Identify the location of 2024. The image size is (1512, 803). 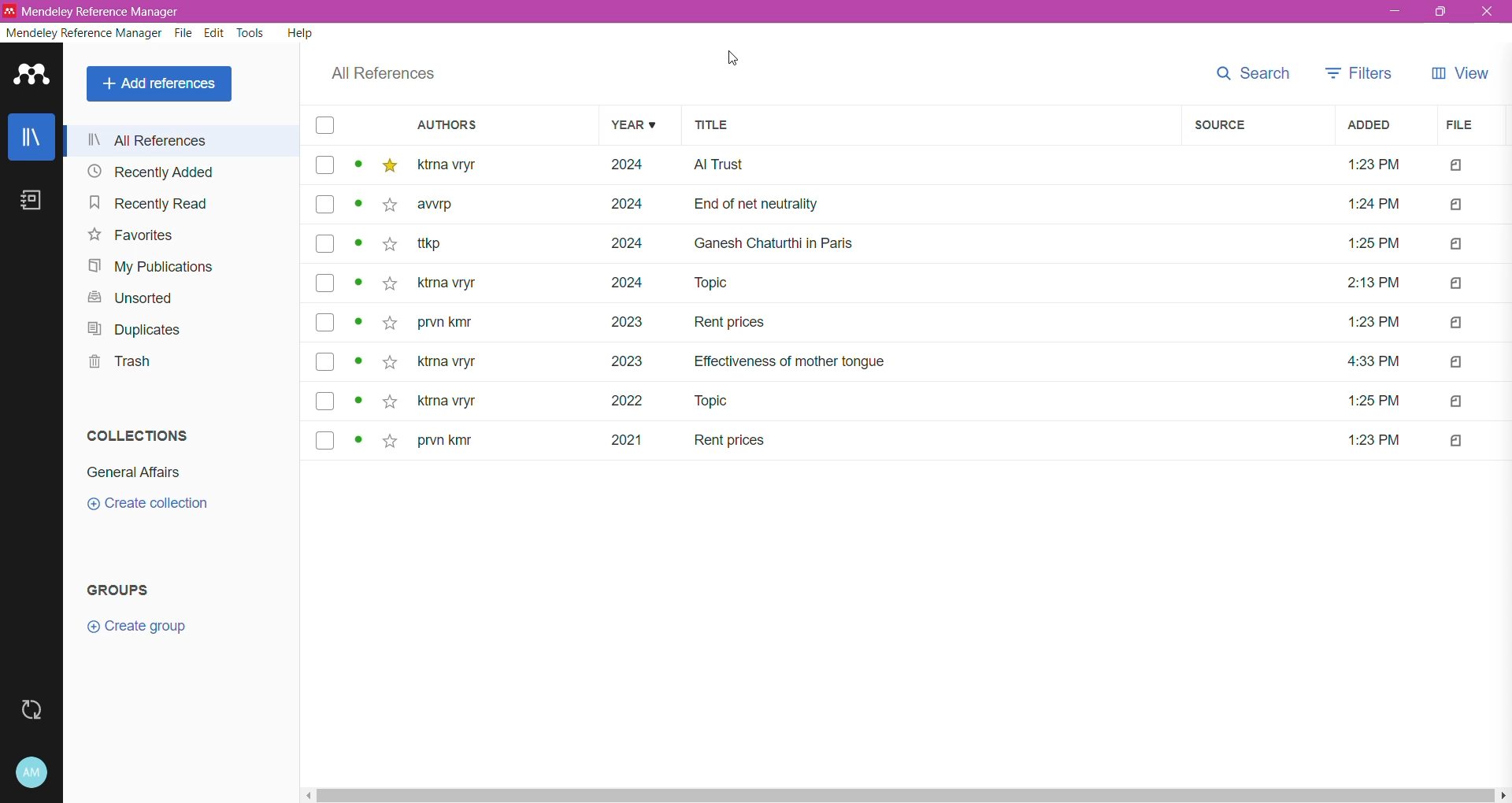
(627, 242).